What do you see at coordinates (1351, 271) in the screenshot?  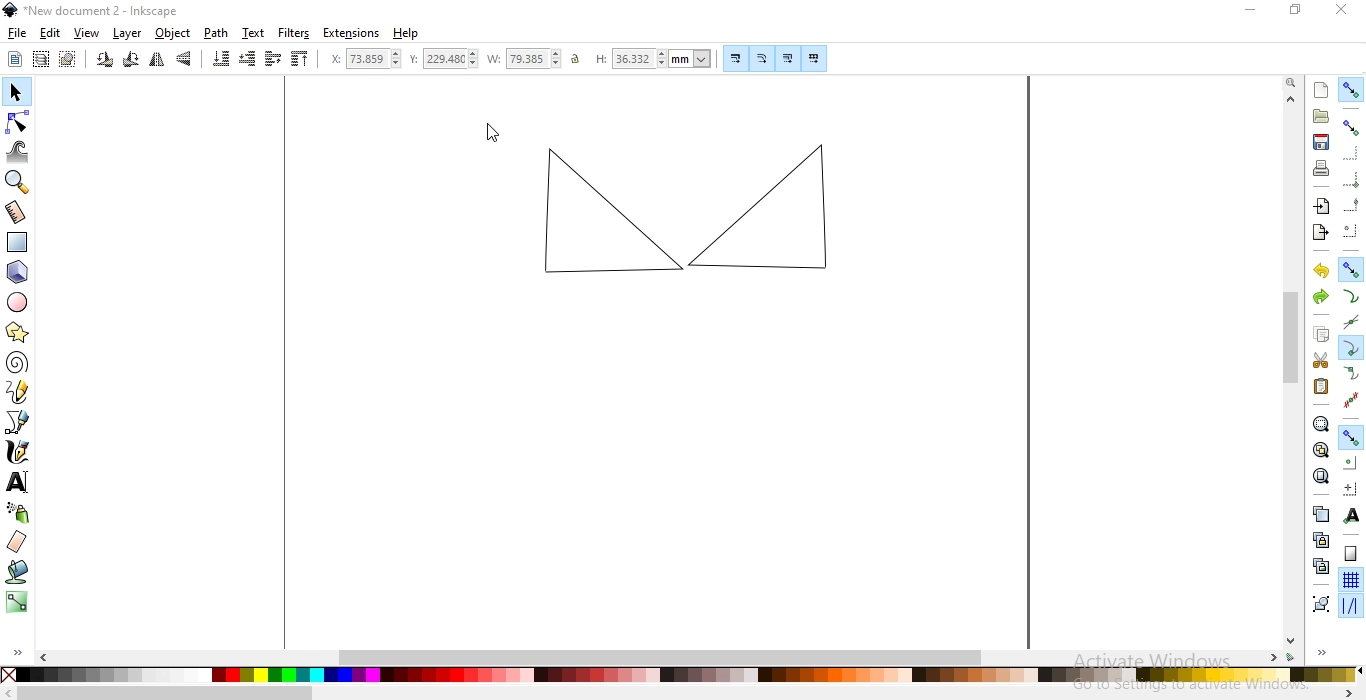 I see `snap nodes, paths and handles` at bounding box center [1351, 271].